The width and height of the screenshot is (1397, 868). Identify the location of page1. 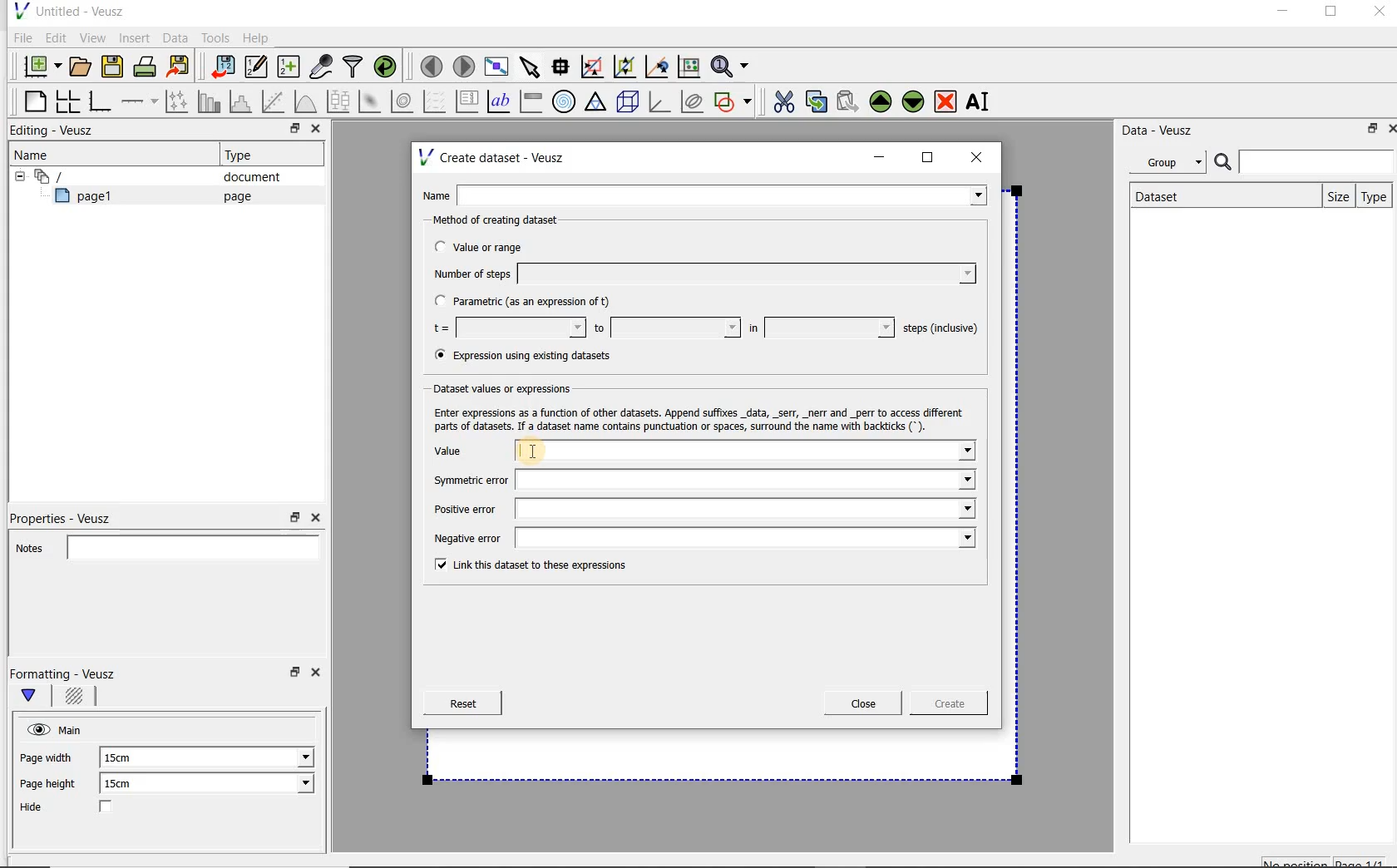
(91, 199).